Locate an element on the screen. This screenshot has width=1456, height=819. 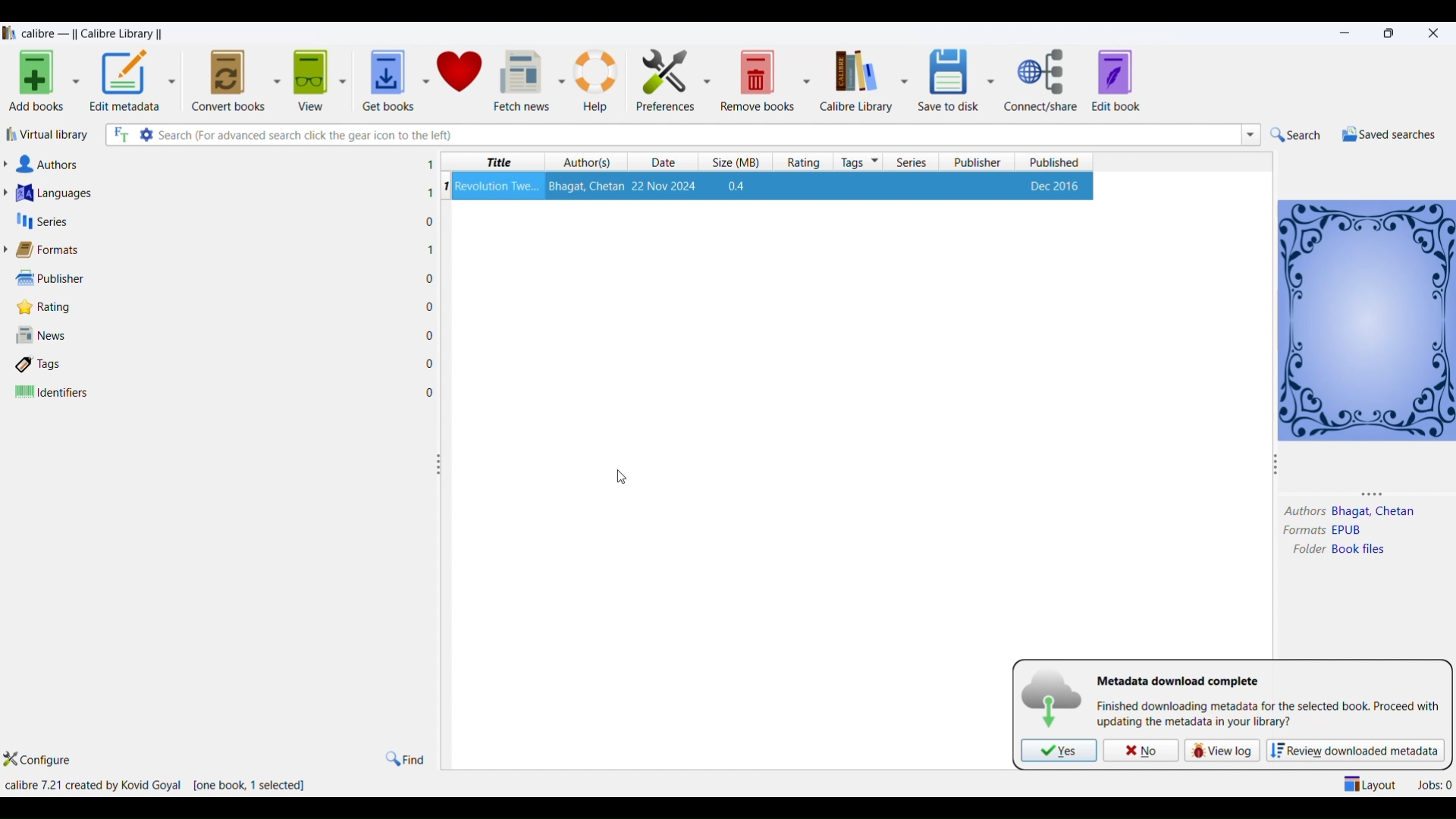
configure is located at coordinates (46, 761).